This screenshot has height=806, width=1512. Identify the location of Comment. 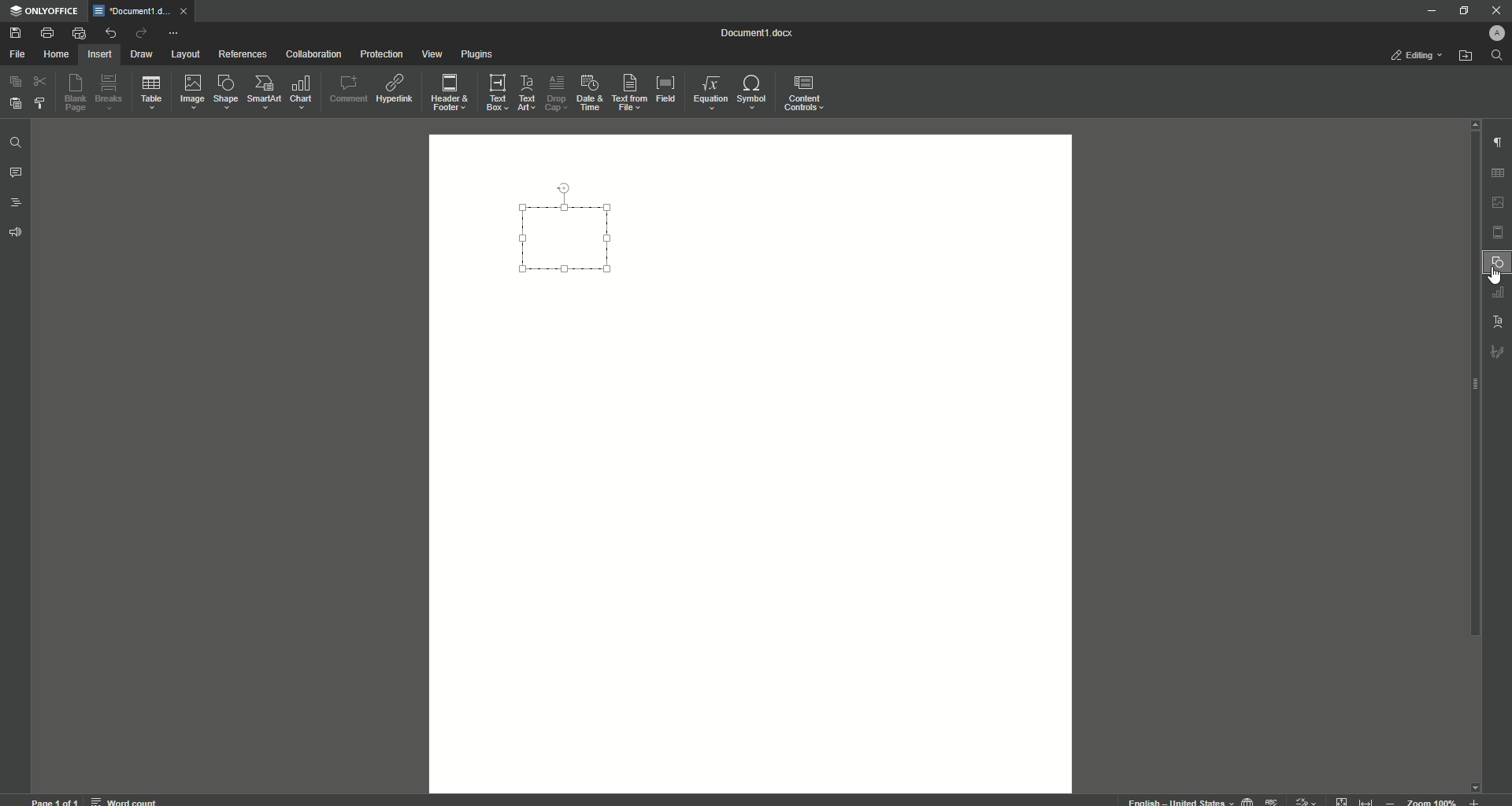
(348, 89).